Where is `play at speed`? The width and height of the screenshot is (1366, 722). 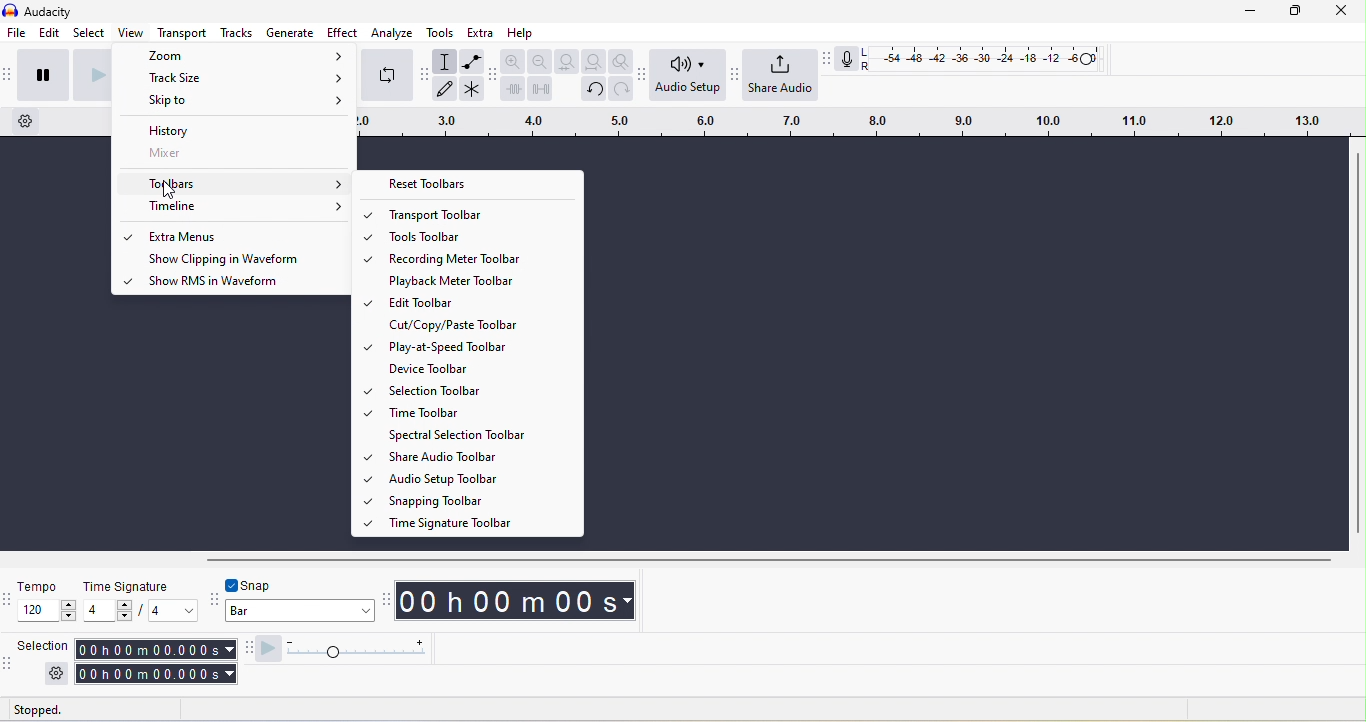
play at speed is located at coordinates (268, 650).